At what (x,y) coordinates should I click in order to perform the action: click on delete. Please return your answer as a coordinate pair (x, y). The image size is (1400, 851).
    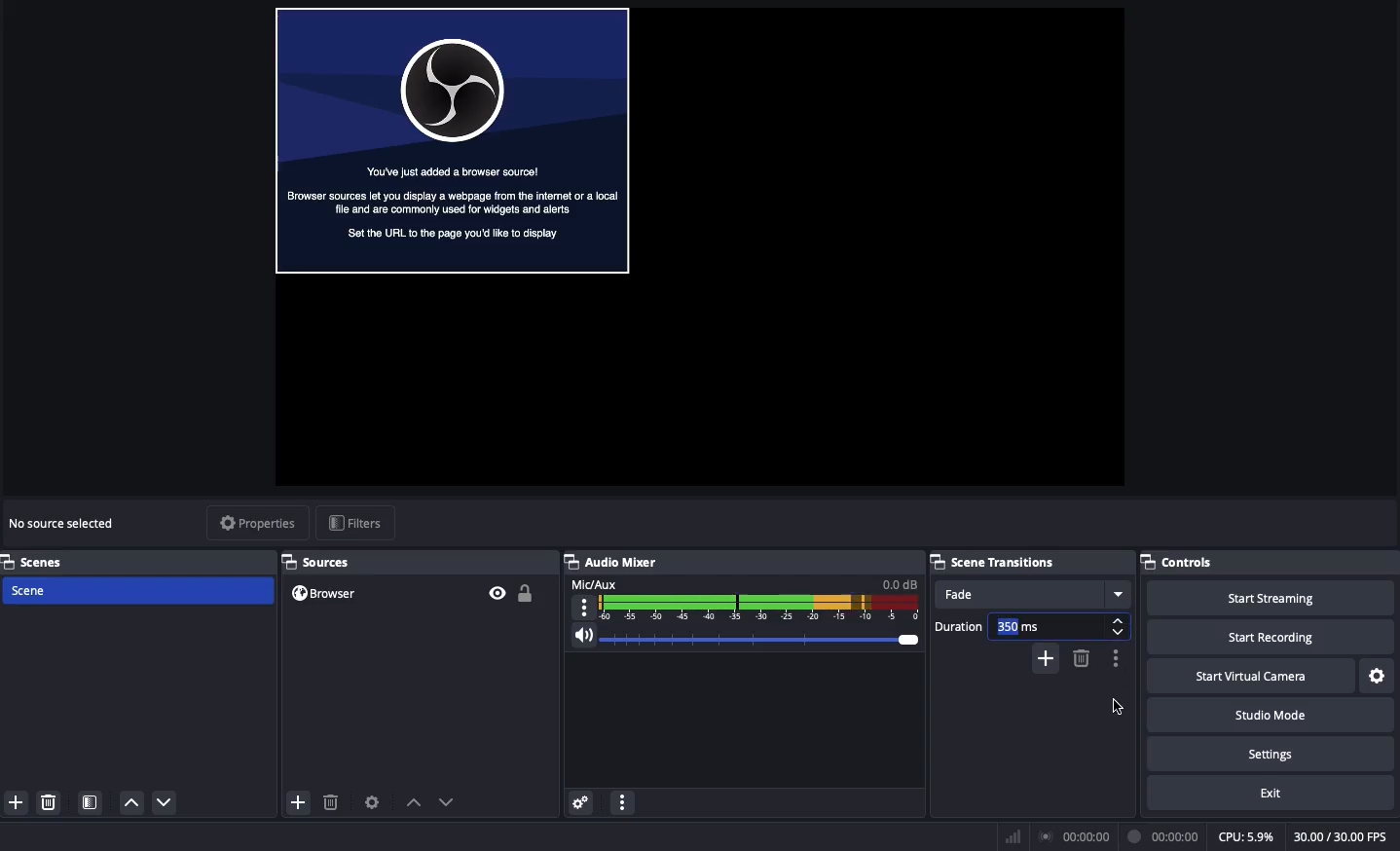
    Looking at the image, I should click on (1085, 660).